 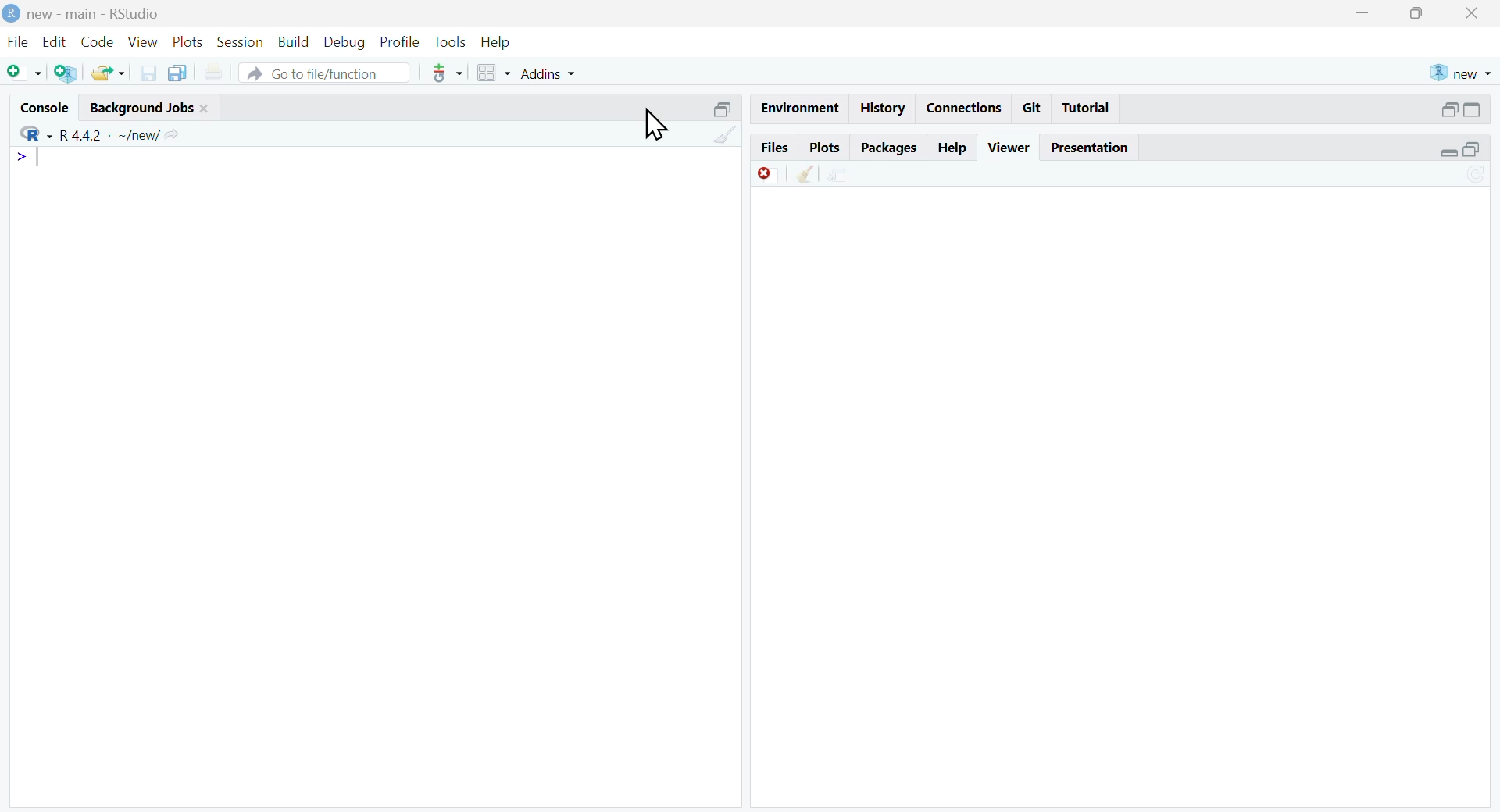 I want to click on open in separate window, so click(x=724, y=109).